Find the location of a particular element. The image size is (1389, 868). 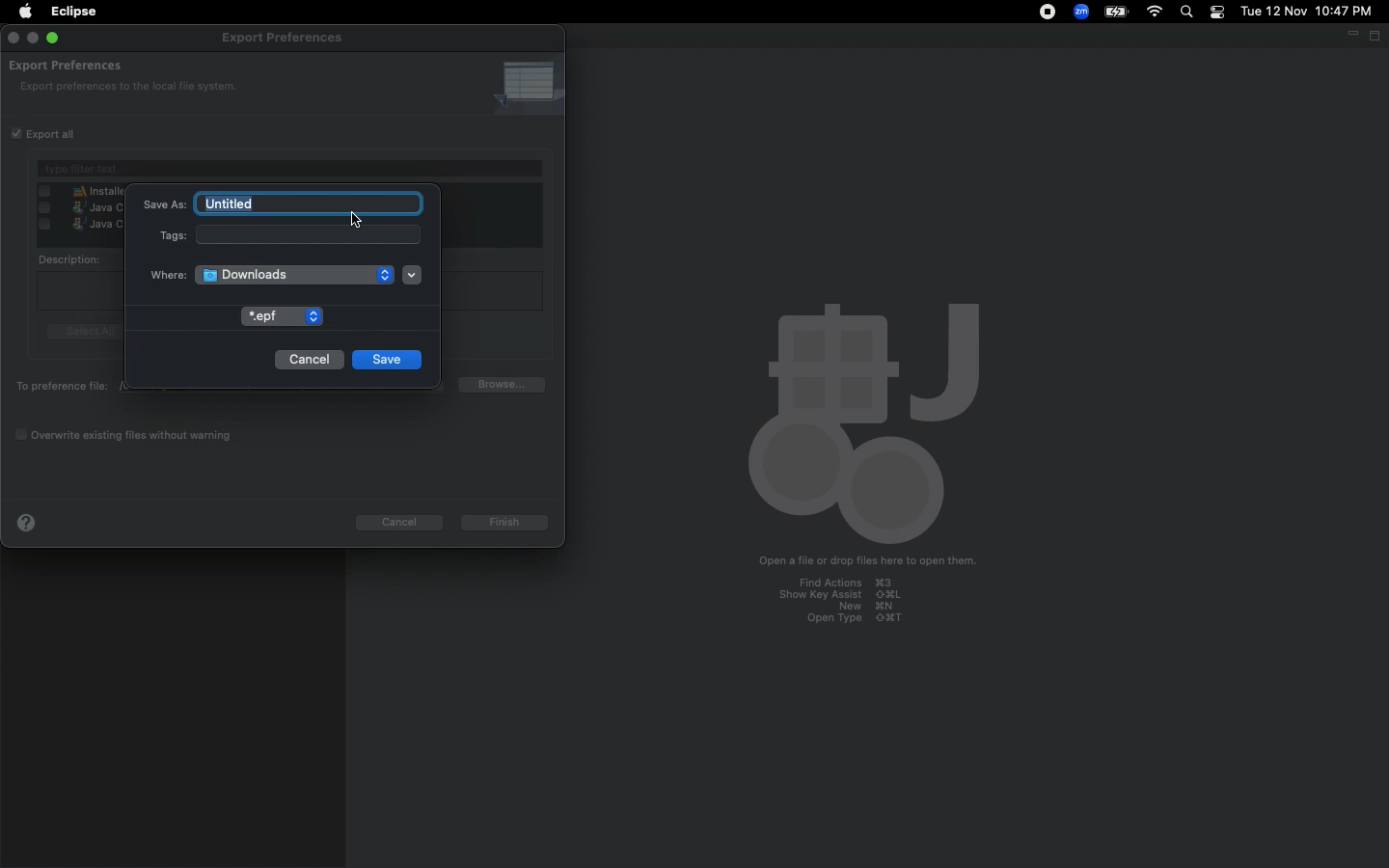

Finish  is located at coordinates (507, 520).